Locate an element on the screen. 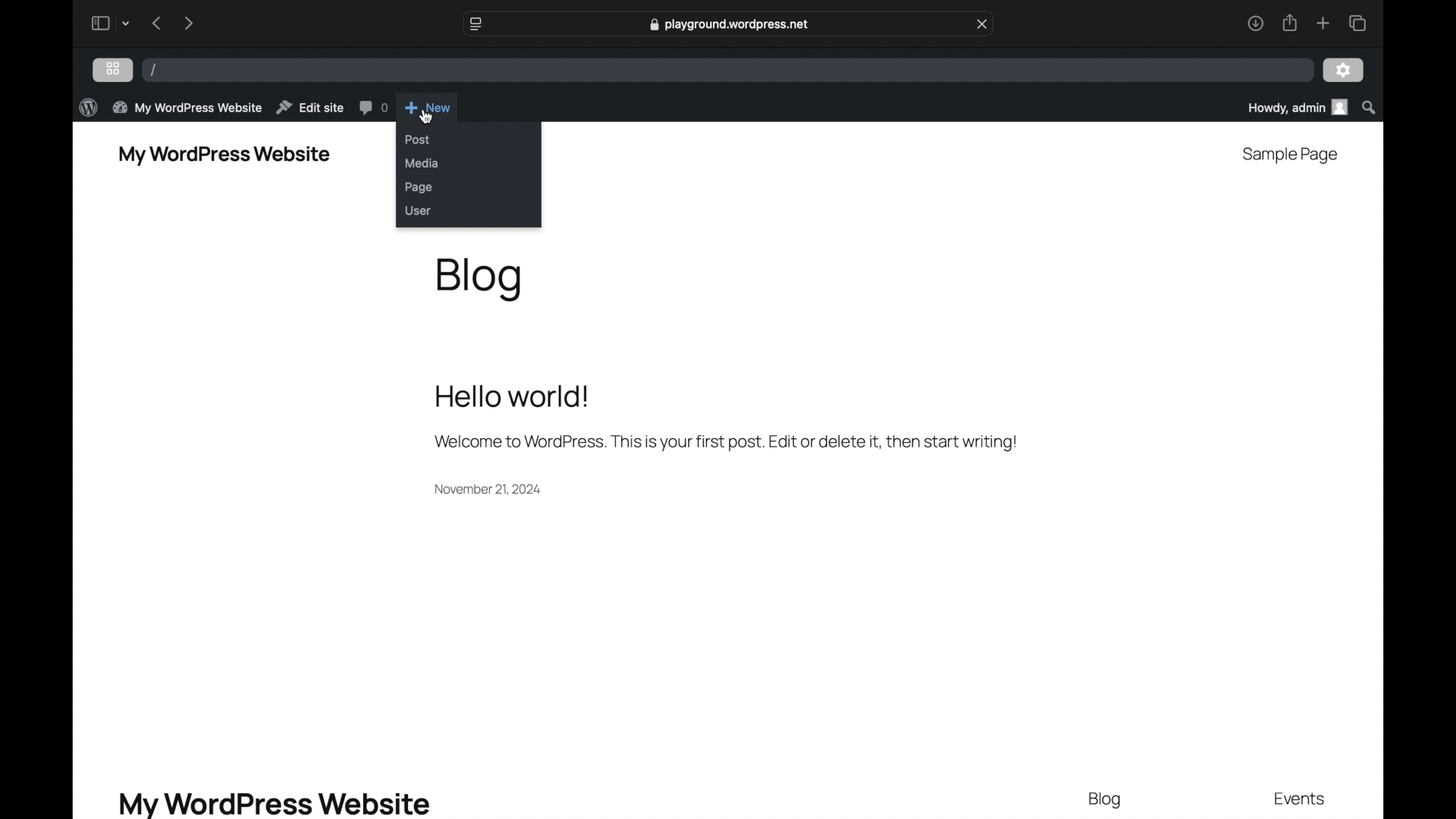  settings is located at coordinates (1344, 71).